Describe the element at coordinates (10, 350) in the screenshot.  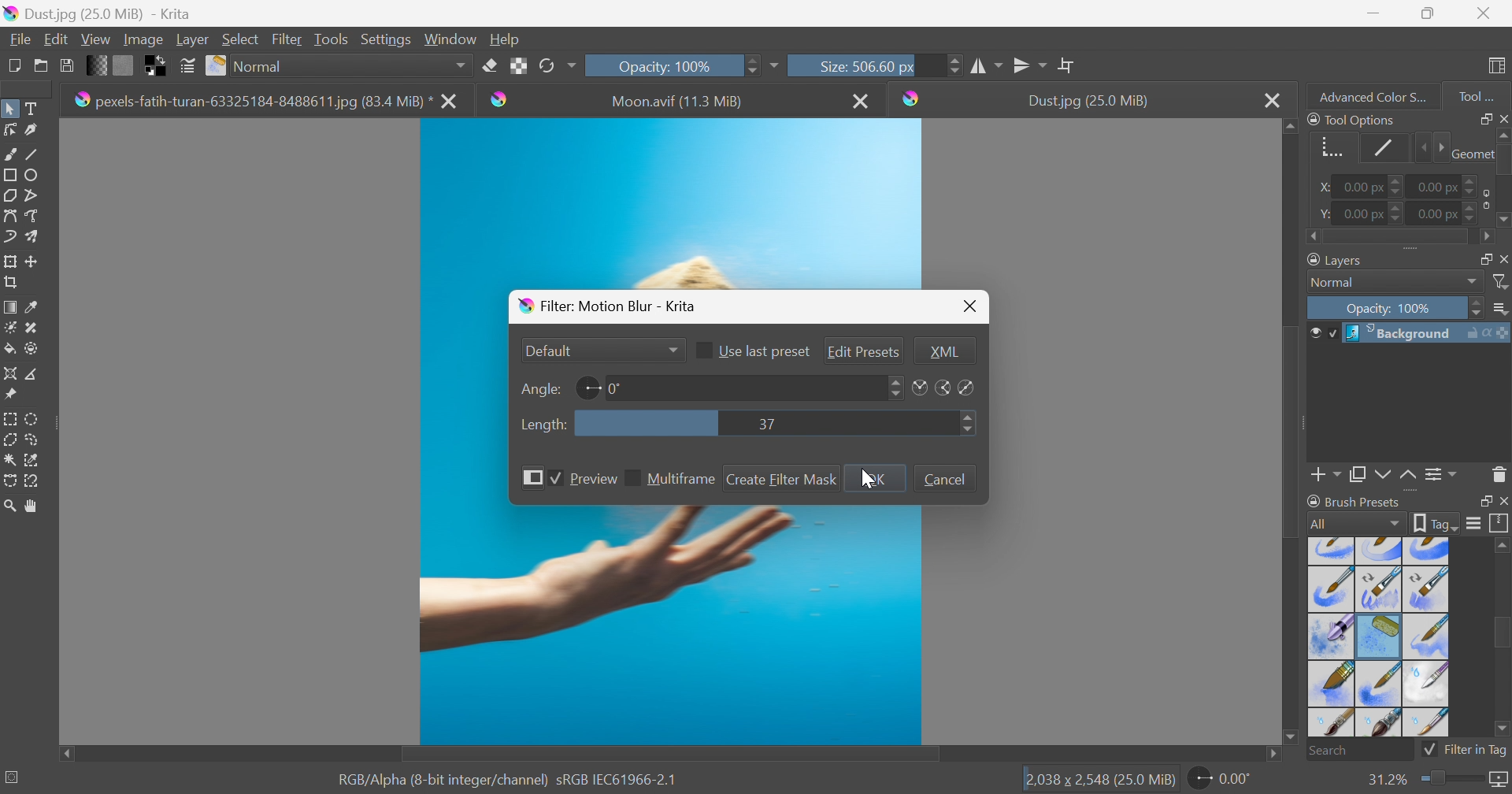
I see `Fill a contiguous area of color with a color or a fill selection` at that location.